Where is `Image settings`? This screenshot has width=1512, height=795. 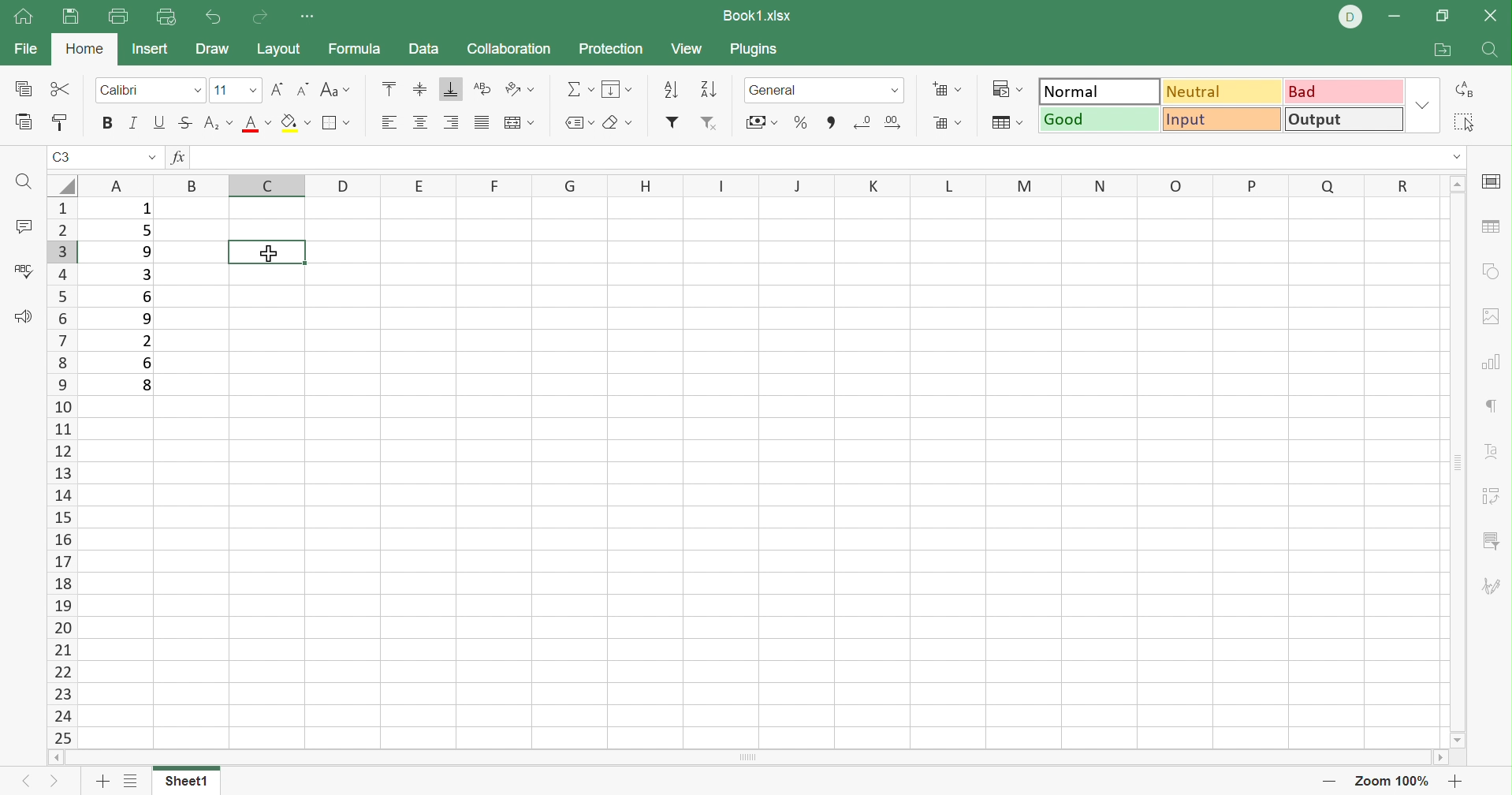 Image settings is located at coordinates (1494, 320).